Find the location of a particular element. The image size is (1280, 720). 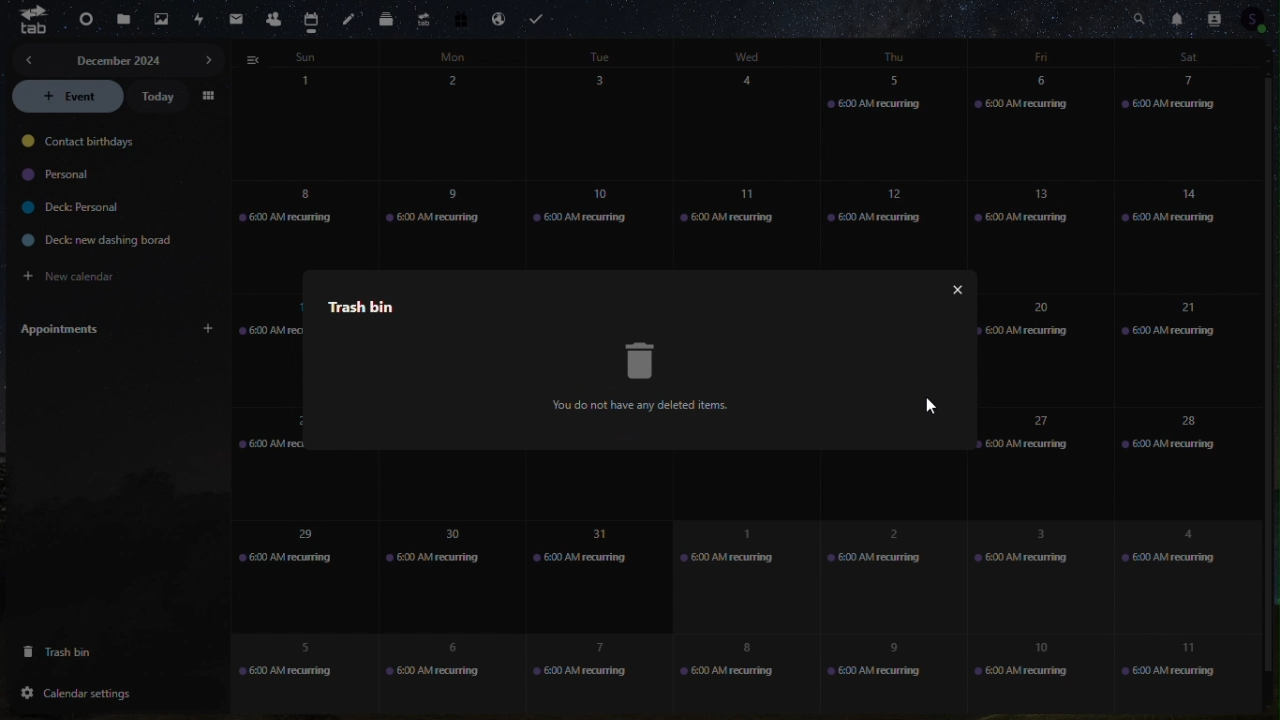

4 is located at coordinates (759, 123).